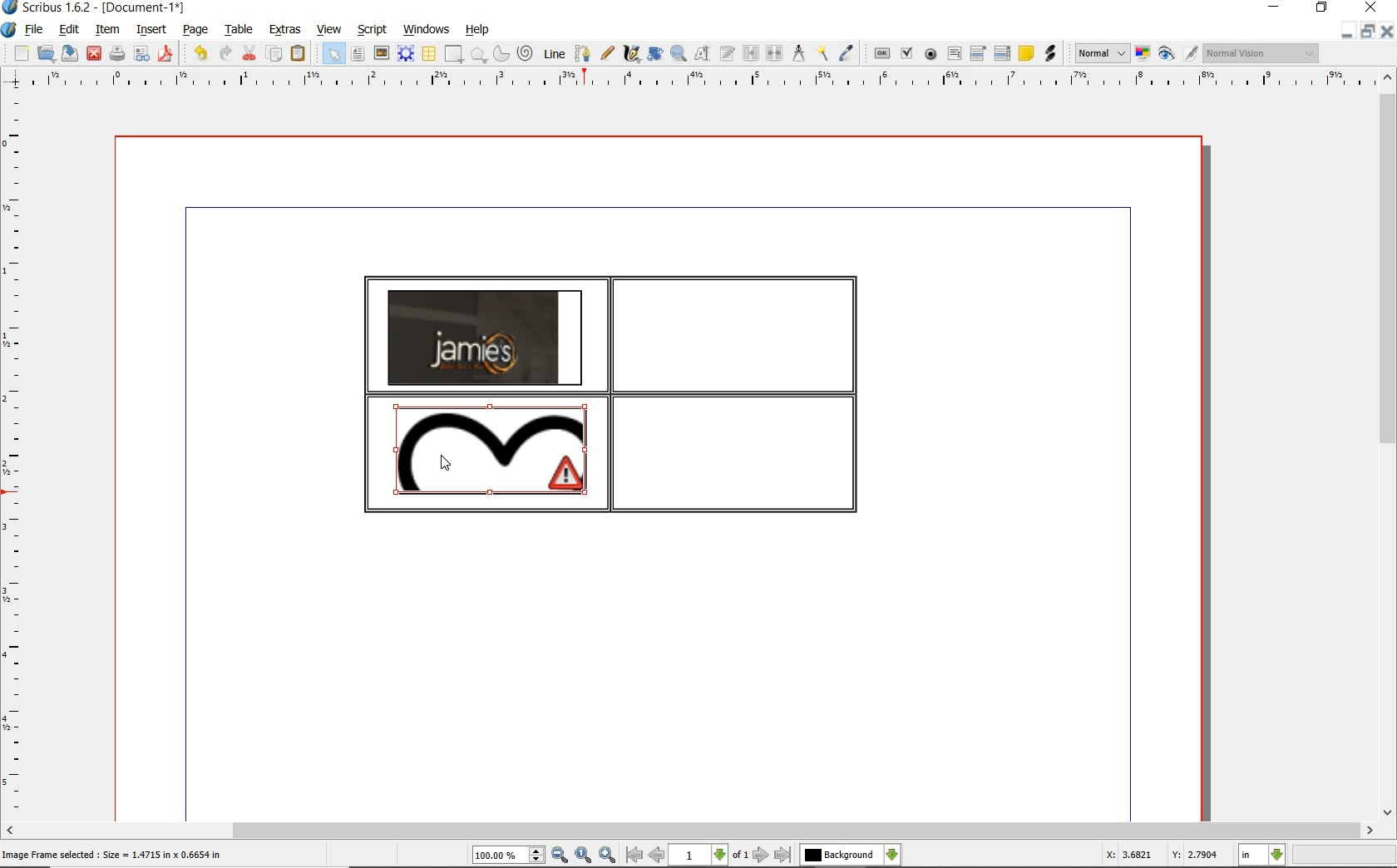 The image size is (1397, 868). What do you see at coordinates (703, 54) in the screenshot?
I see `edit contents of frame` at bounding box center [703, 54].